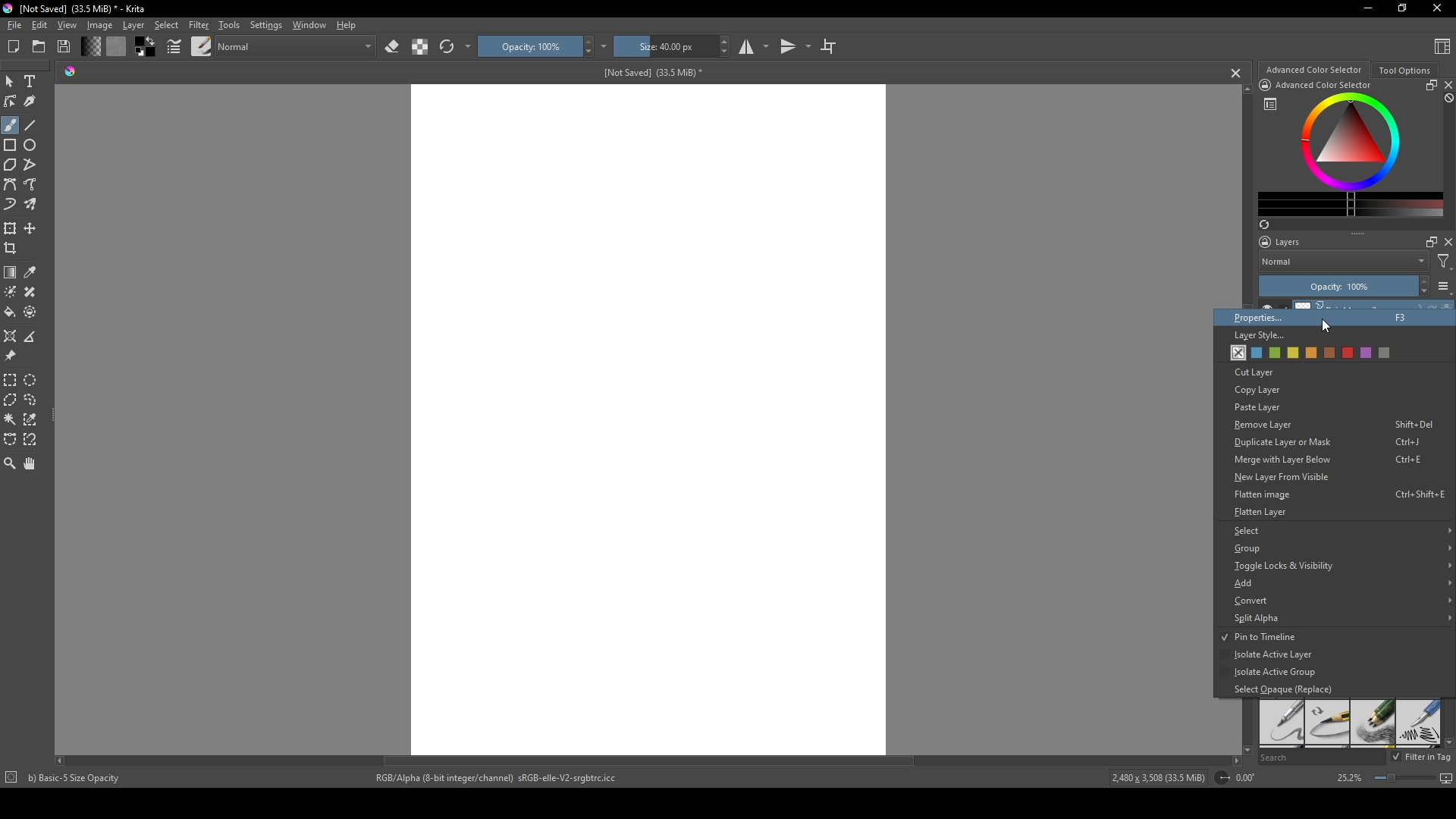 The height and width of the screenshot is (819, 1456). What do you see at coordinates (1447, 99) in the screenshot?
I see `block` at bounding box center [1447, 99].